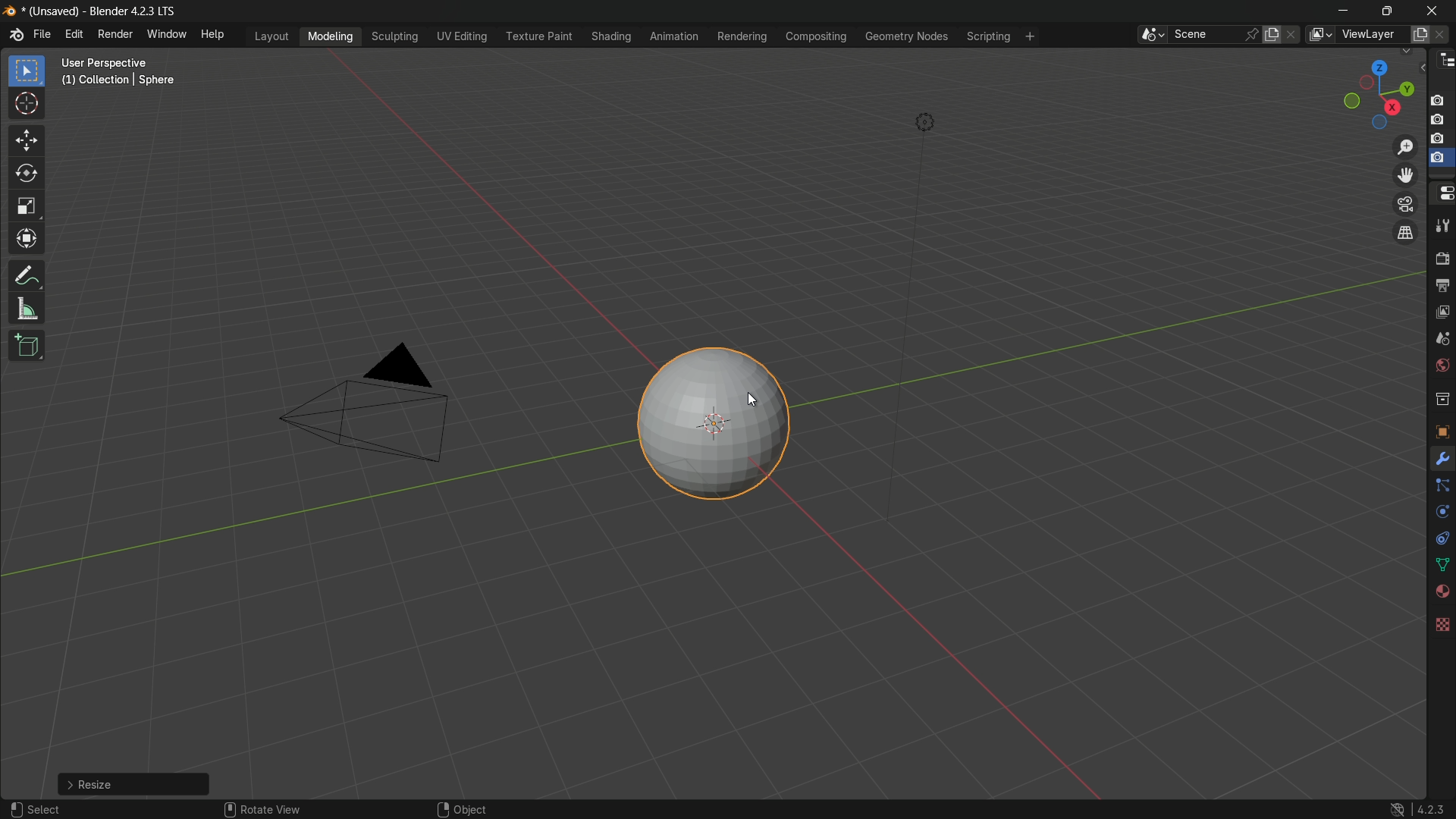 This screenshot has width=1456, height=819. I want to click on object, so click(469, 806).